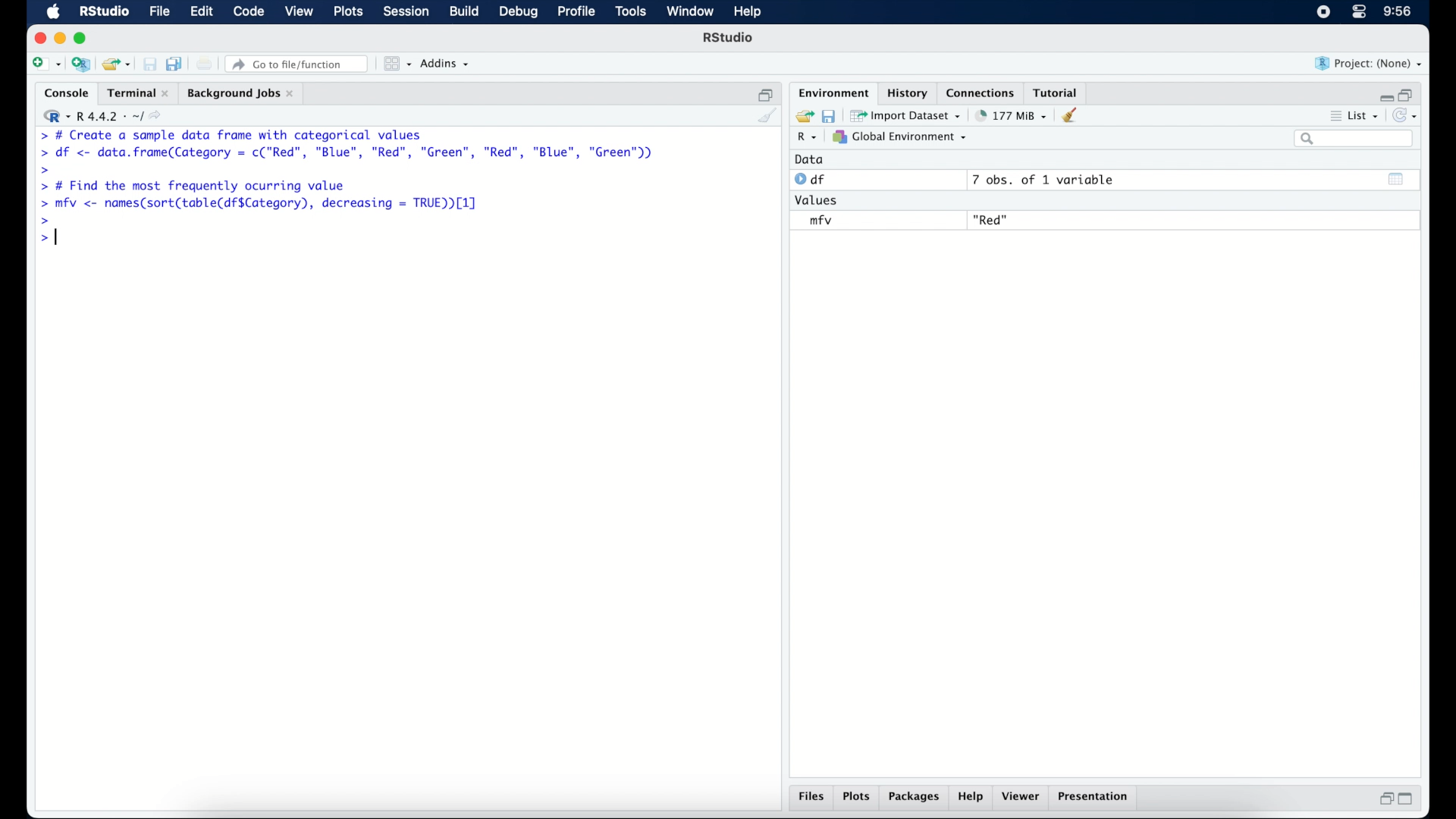 Image resolution: width=1456 pixels, height=819 pixels. I want to click on build, so click(465, 12).